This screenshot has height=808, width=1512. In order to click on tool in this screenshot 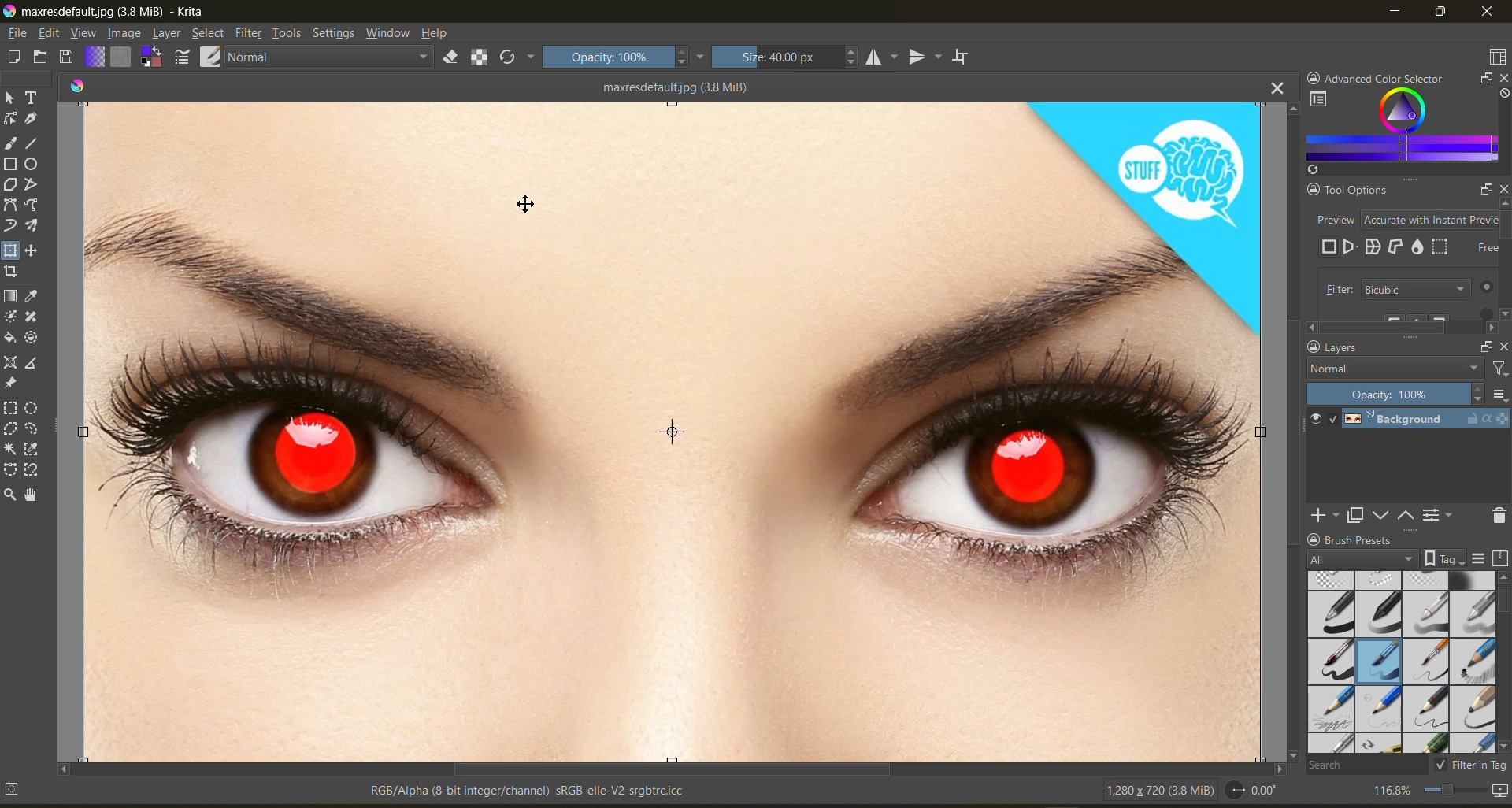, I will do `click(31, 410)`.